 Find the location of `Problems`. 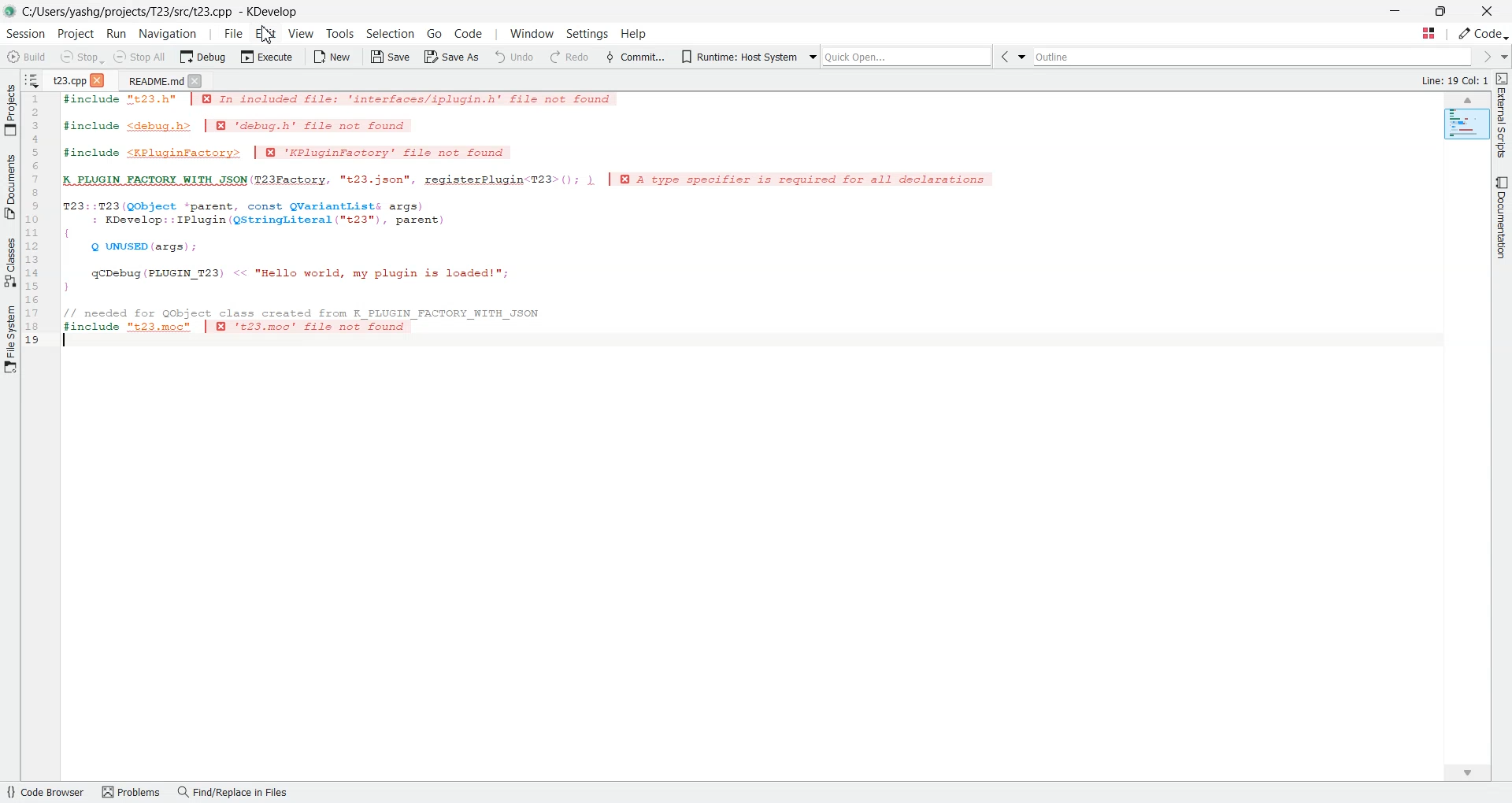

Problems is located at coordinates (132, 793).